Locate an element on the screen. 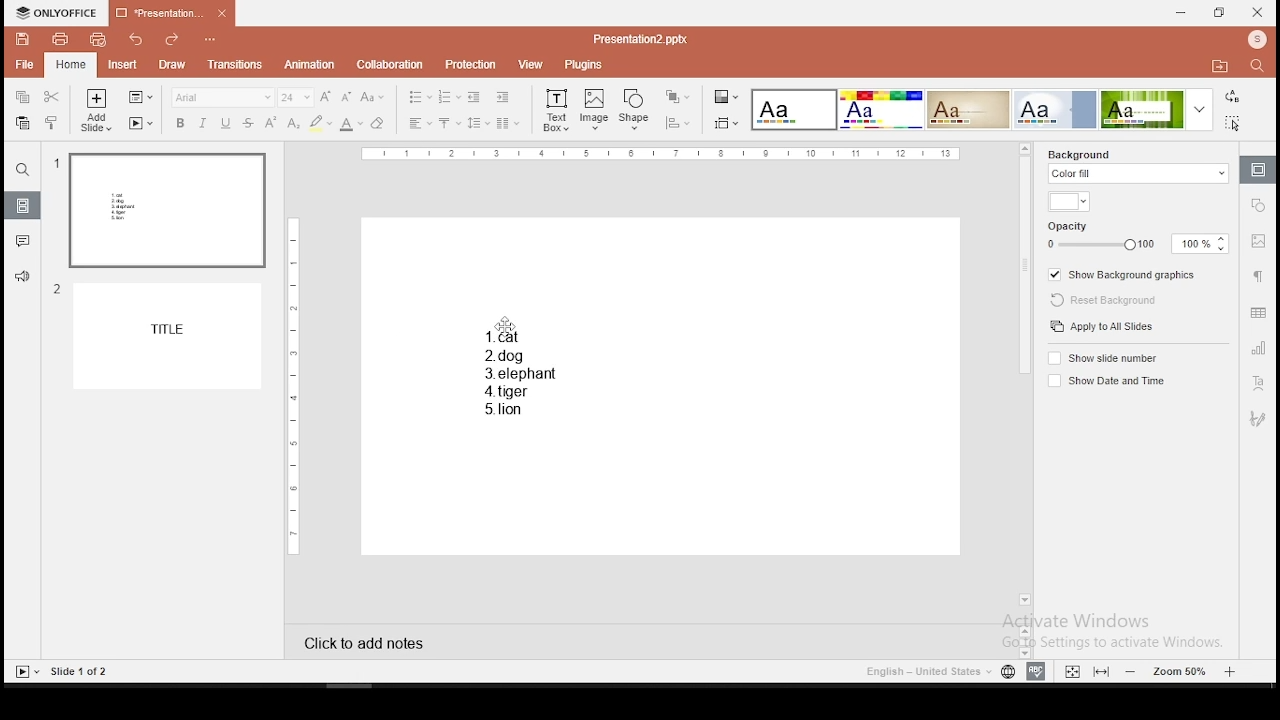 This screenshot has width=1280, height=720. align objects is located at coordinates (676, 123).